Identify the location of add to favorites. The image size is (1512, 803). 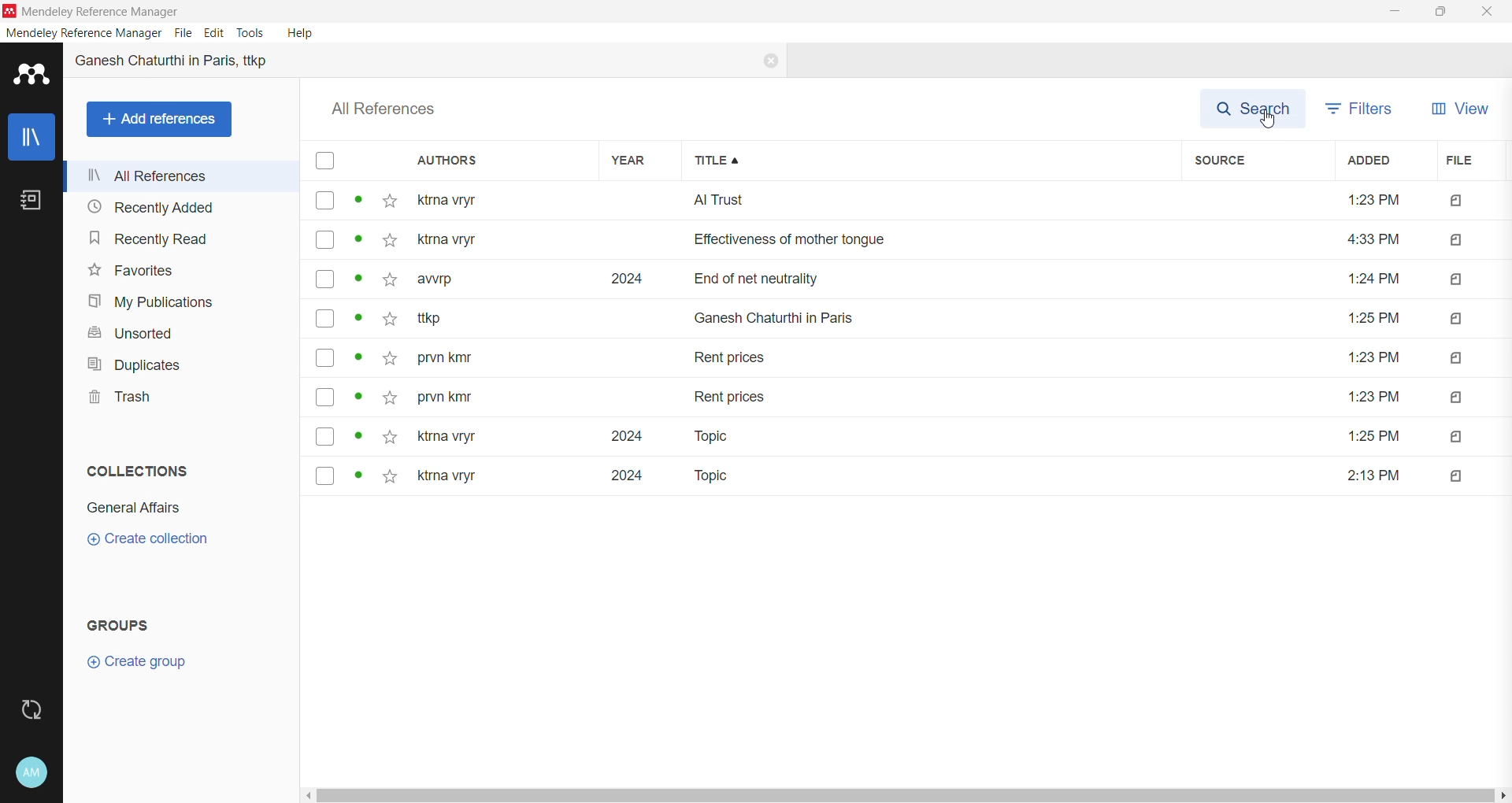
(388, 436).